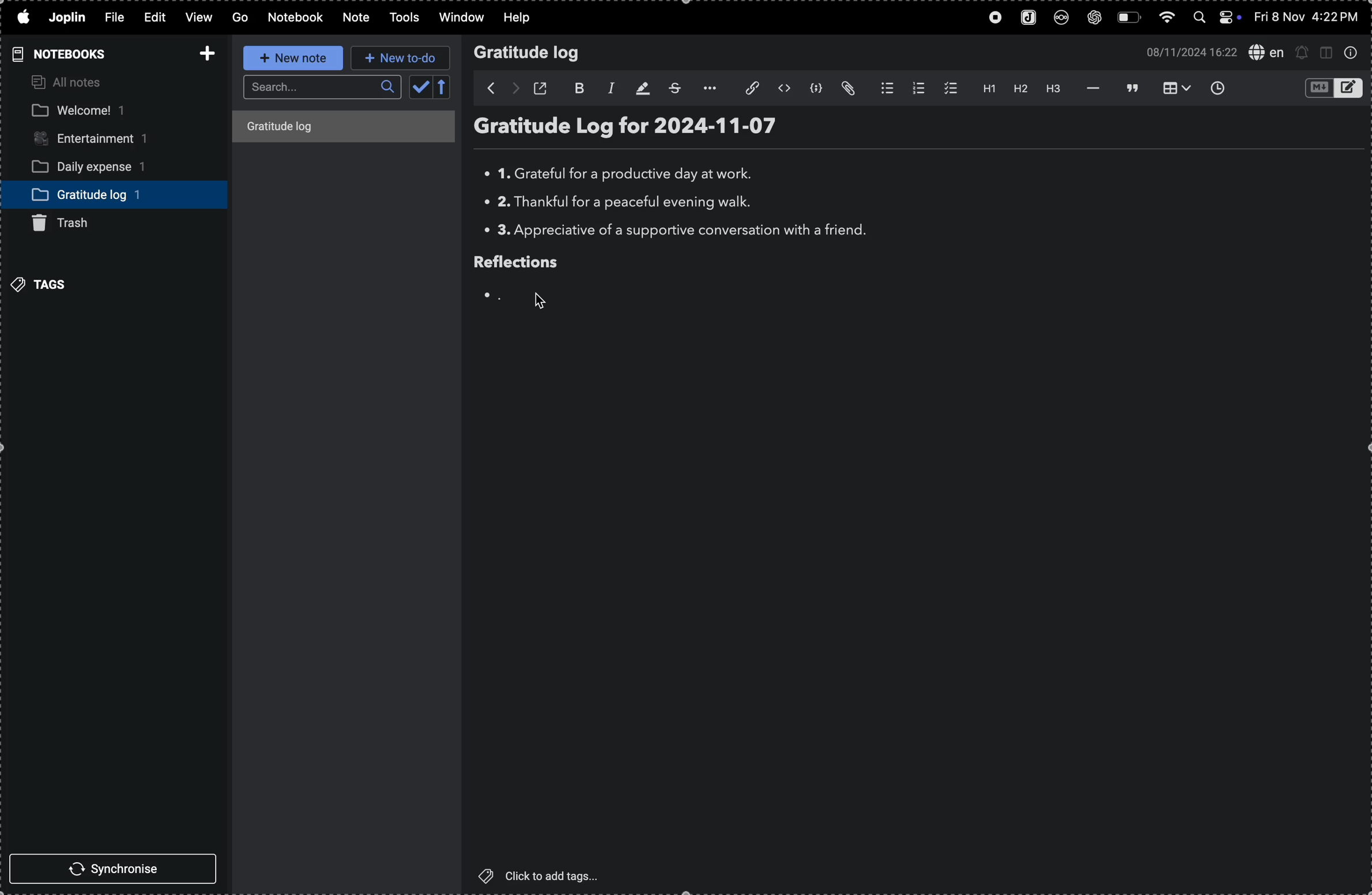 This screenshot has width=1372, height=895. What do you see at coordinates (1173, 87) in the screenshot?
I see `table view` at bounding box center [1173, 87].